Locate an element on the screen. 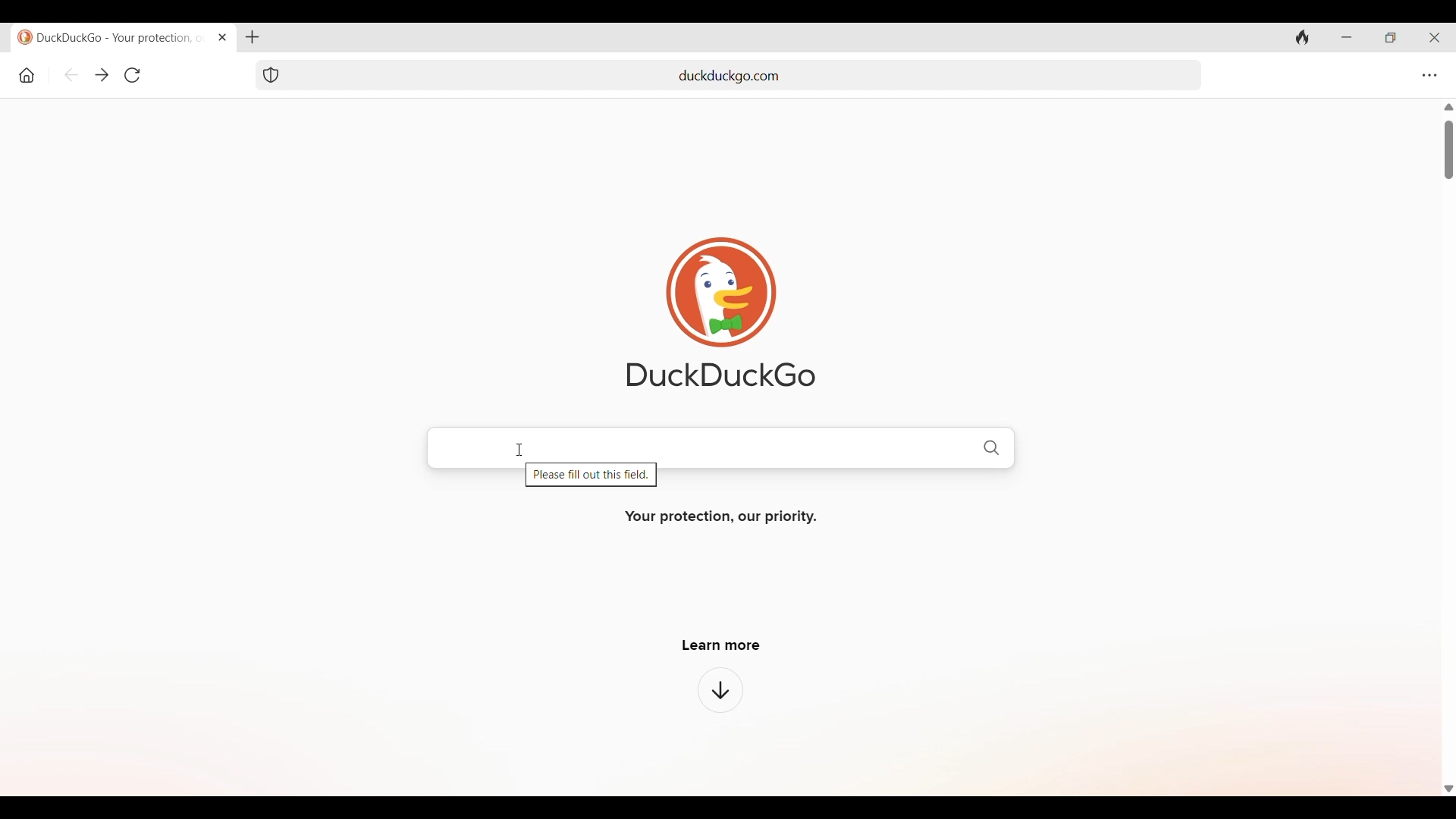 This screenshot has height=819, width=1456. Your protection, our priority. is located at coordinates (720, 517).